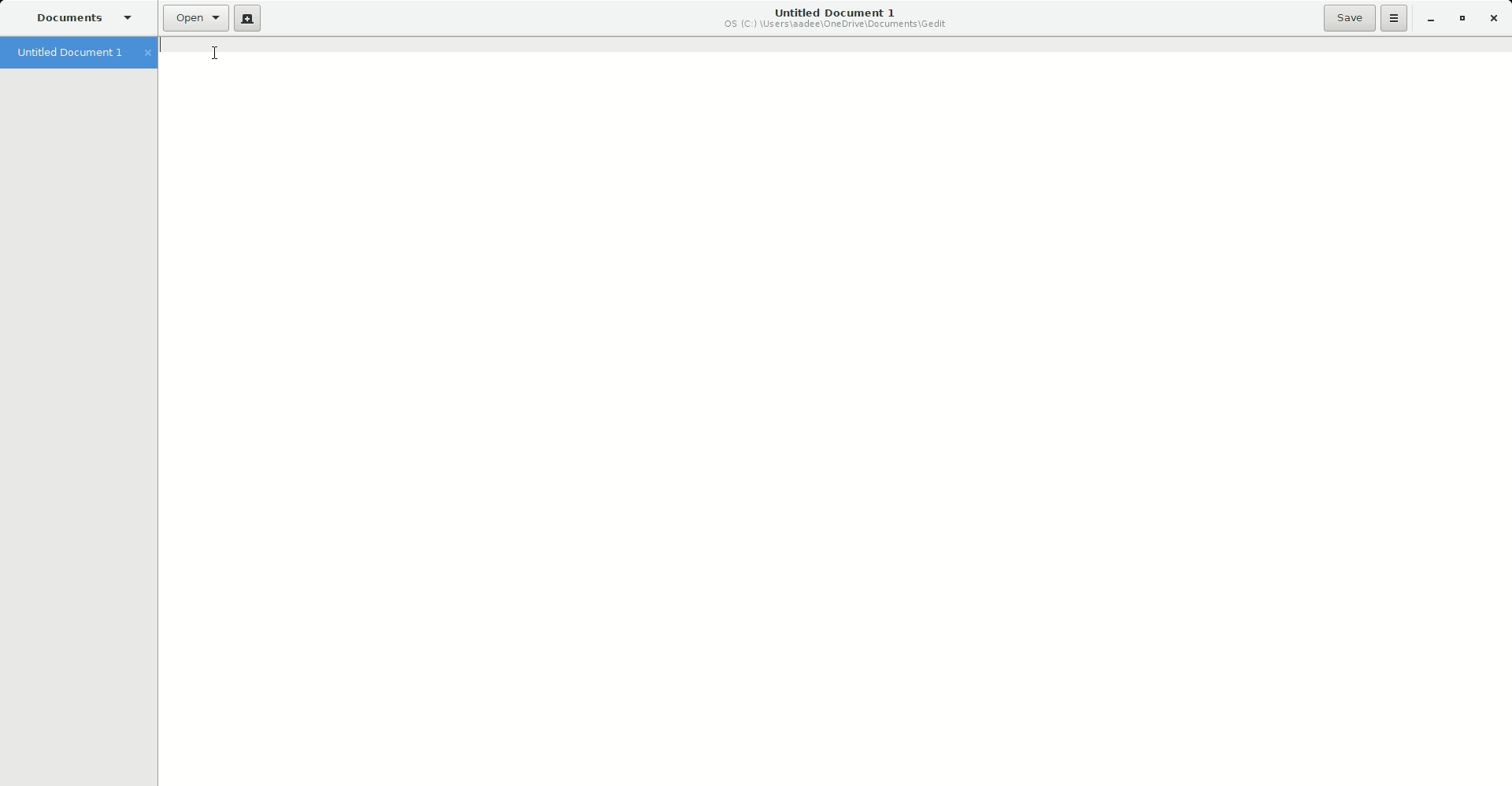 This screenshot has width=1512, height=786. Describe the element at coordinates (223, 53) in the screenshot. I see `Cursor` at that location.